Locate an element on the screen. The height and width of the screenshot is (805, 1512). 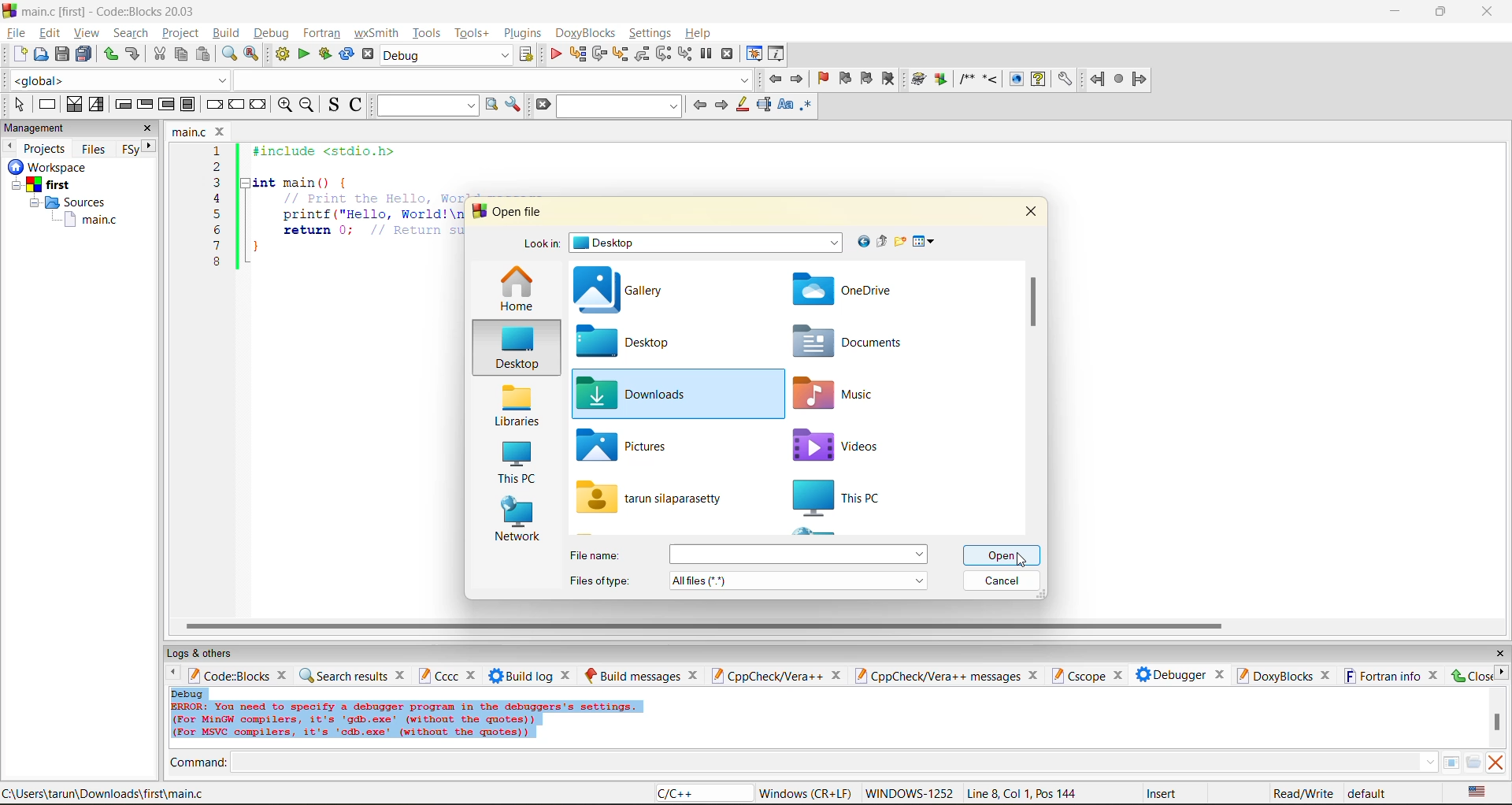
open is located at coordinates (42, 54).